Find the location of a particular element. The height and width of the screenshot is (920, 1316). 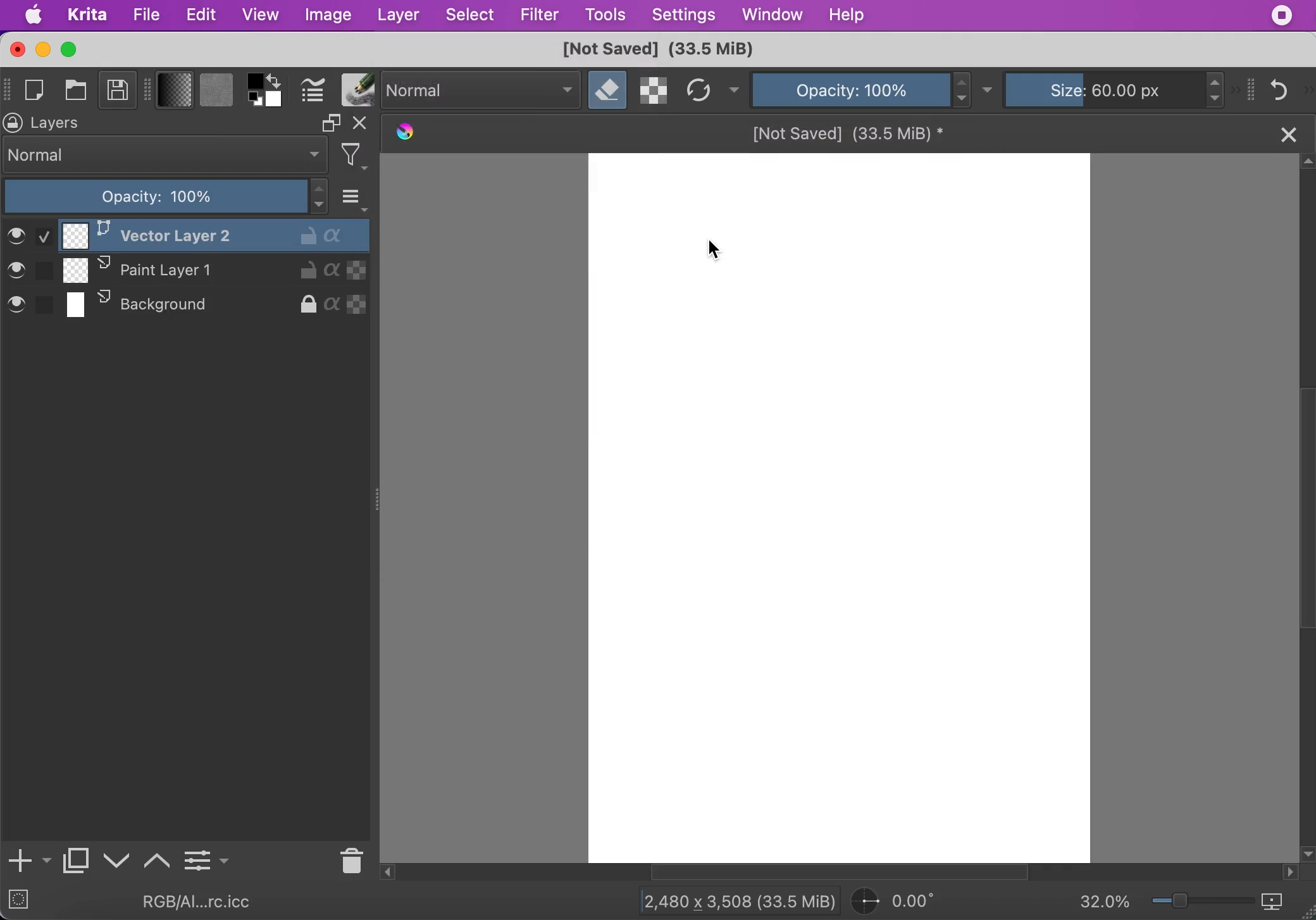

delete the layer or mask is located at coordinates (349, 859).